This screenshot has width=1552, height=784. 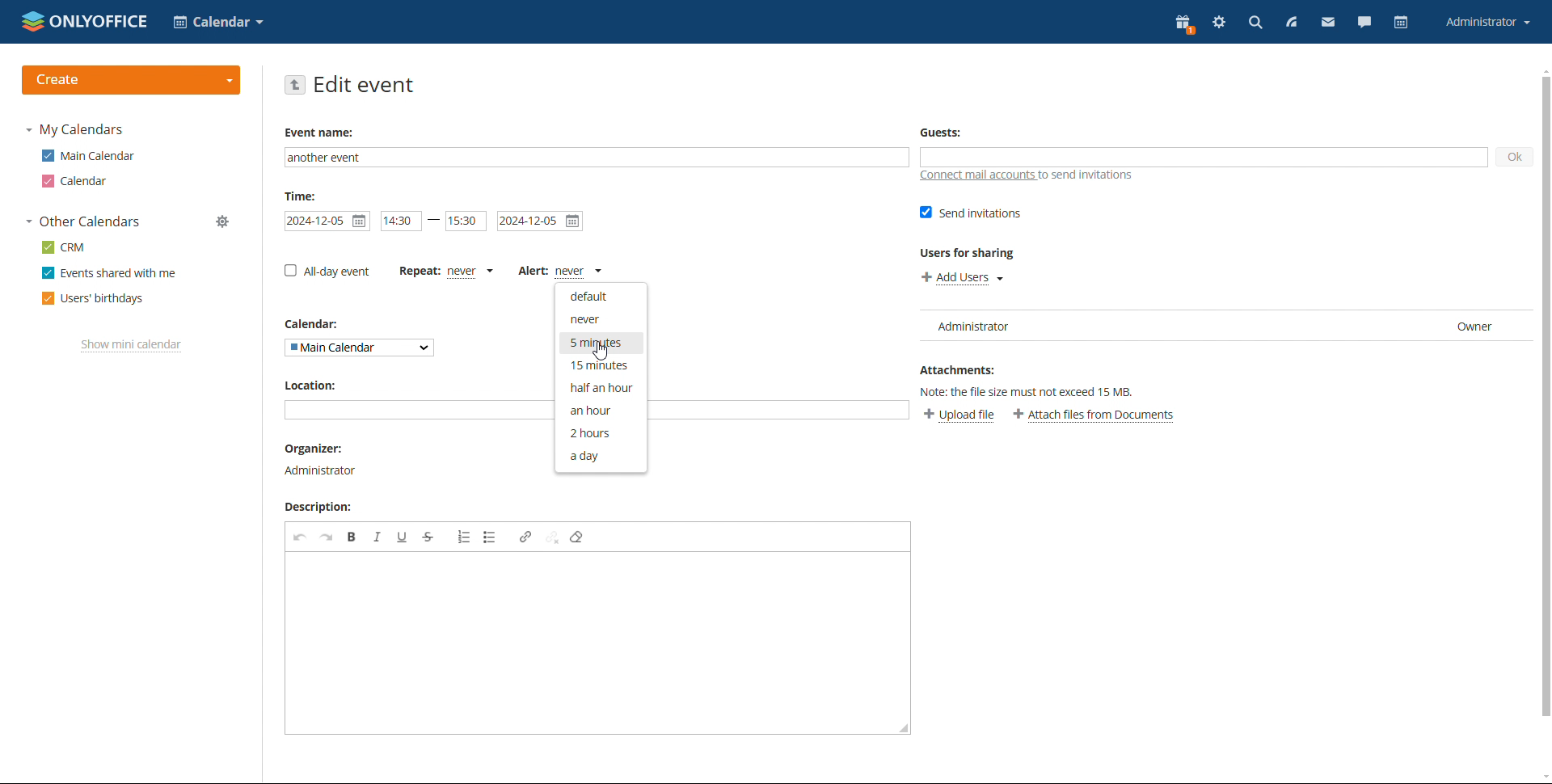 What do you see at coordinates (86, 21) in the screenshot?
I see `logo` at bounding box center [86, 21].